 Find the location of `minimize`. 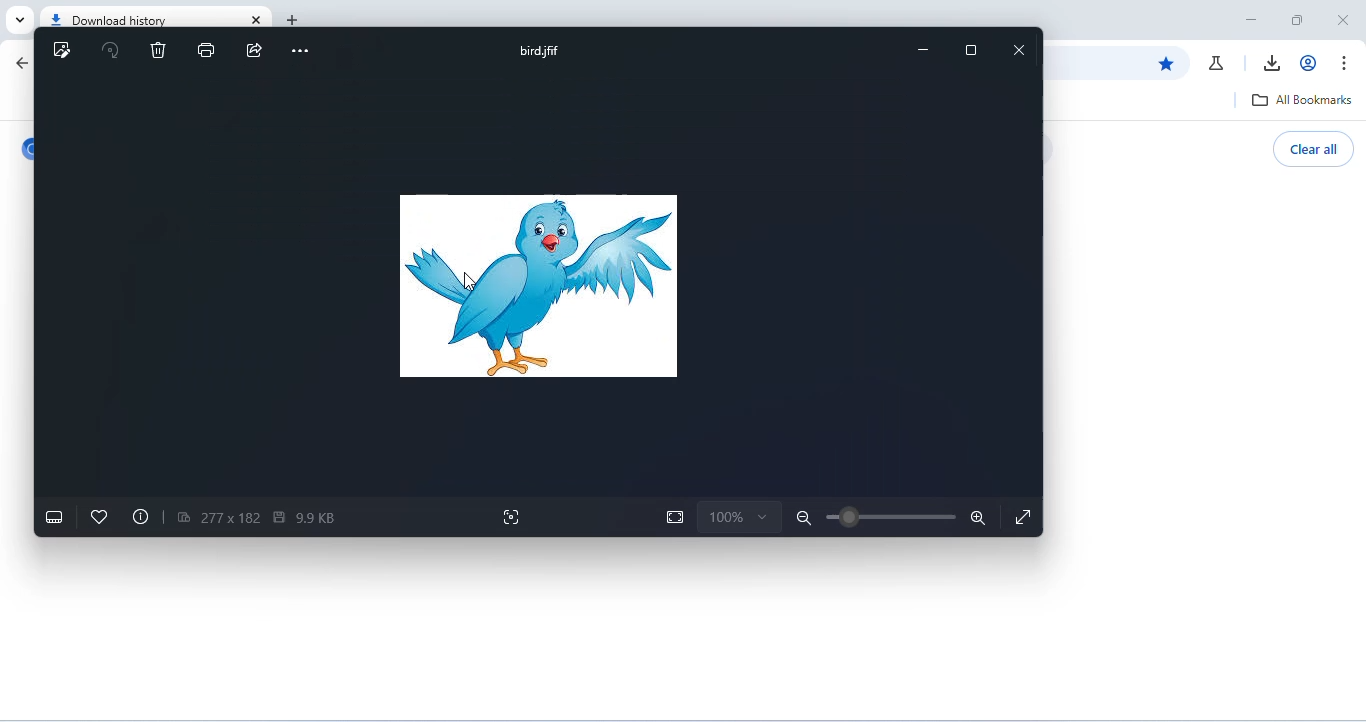

minimize is located at coordinates (1252, 20).